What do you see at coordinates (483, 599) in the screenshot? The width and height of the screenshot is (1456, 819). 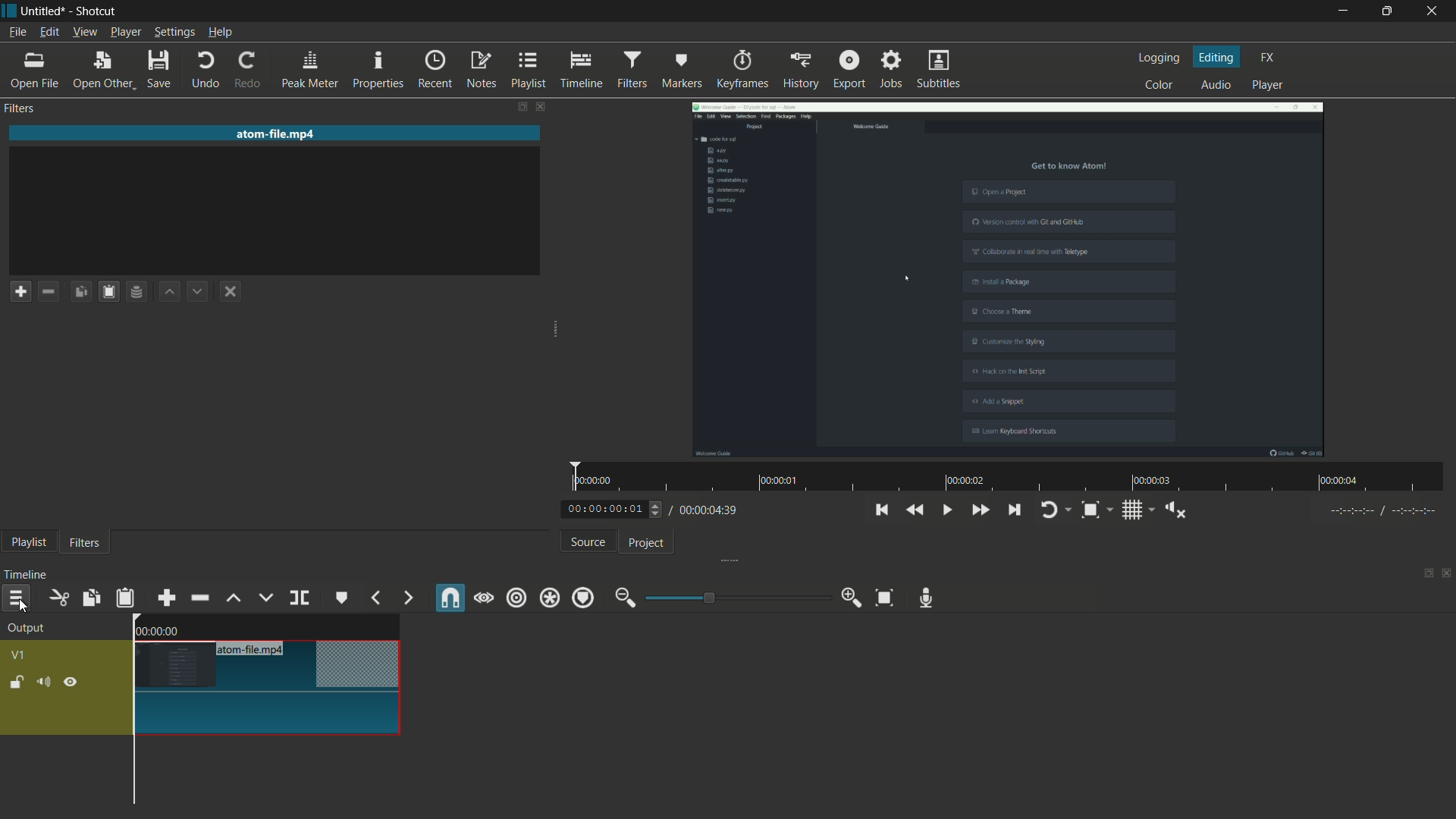 I see `scrub while dragging` at bounding box center [483, 599].